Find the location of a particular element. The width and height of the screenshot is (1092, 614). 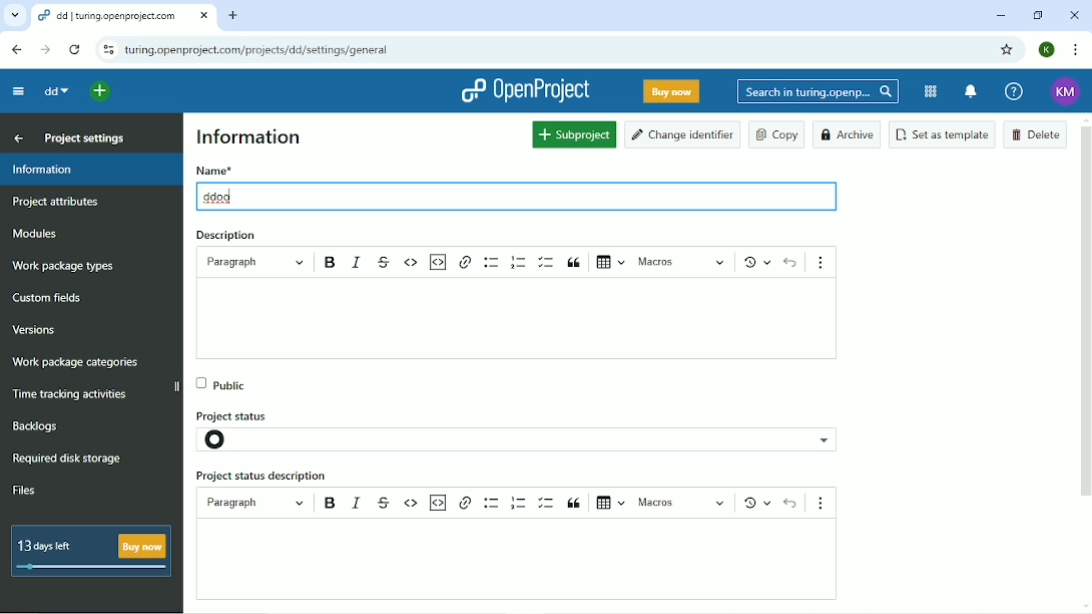

dd/turing.openproject.com is located at coordinates (122, 16).